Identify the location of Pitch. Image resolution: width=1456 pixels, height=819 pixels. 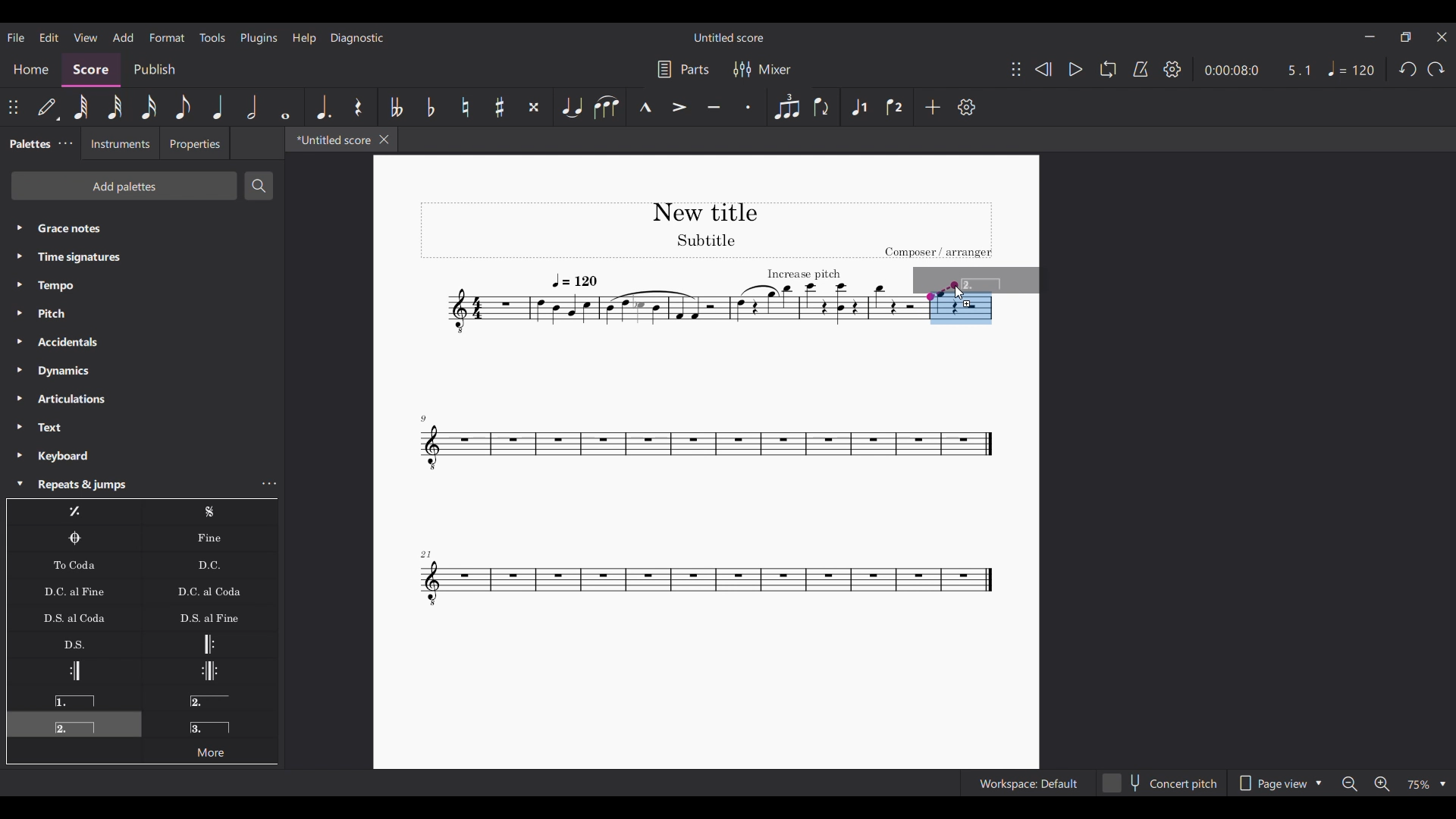
(142, 312).